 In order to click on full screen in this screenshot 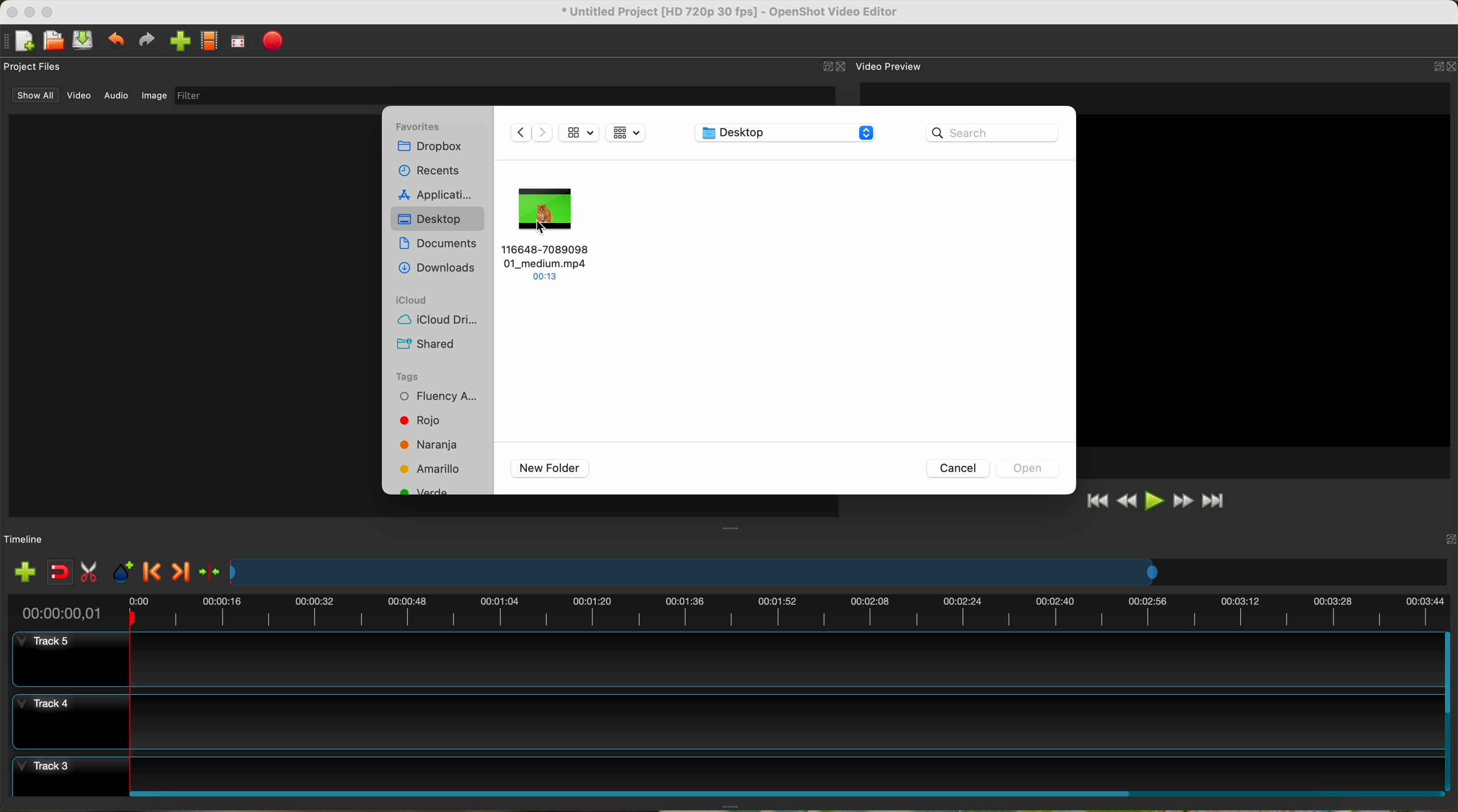, I will do `click(238, 41)`.